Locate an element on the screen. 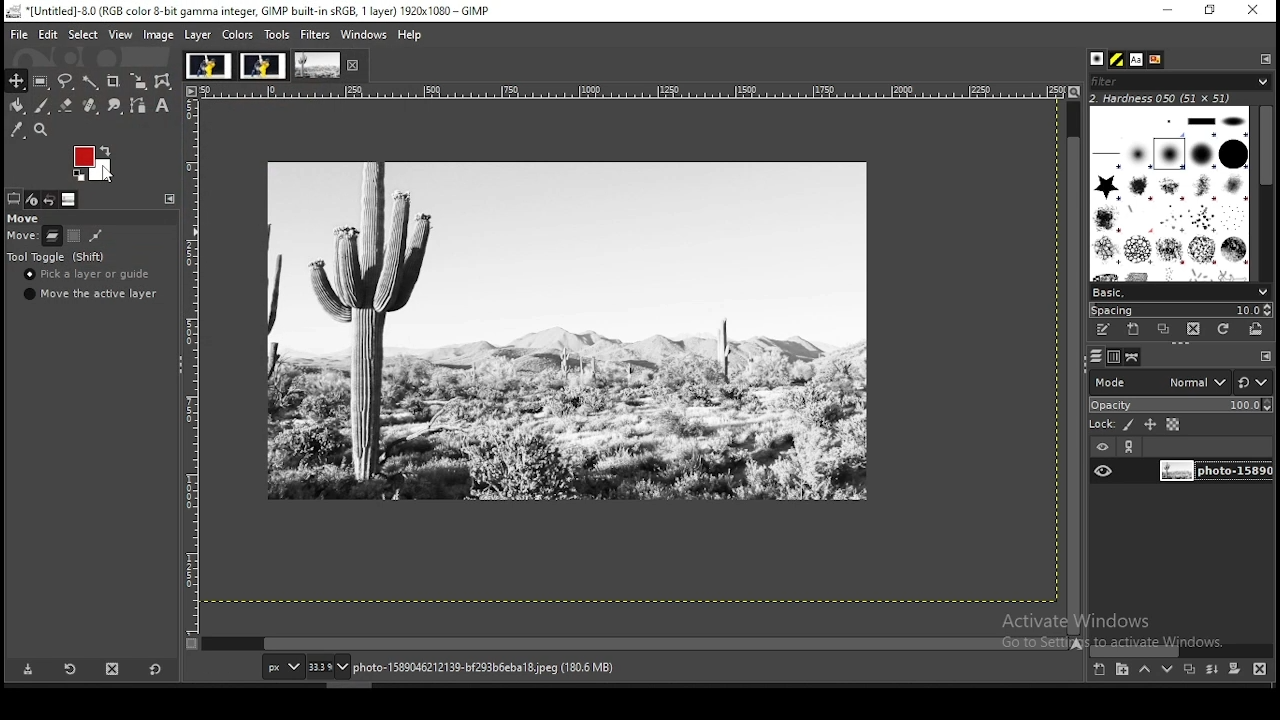  edit brush is located at coordinates (1105, 330).